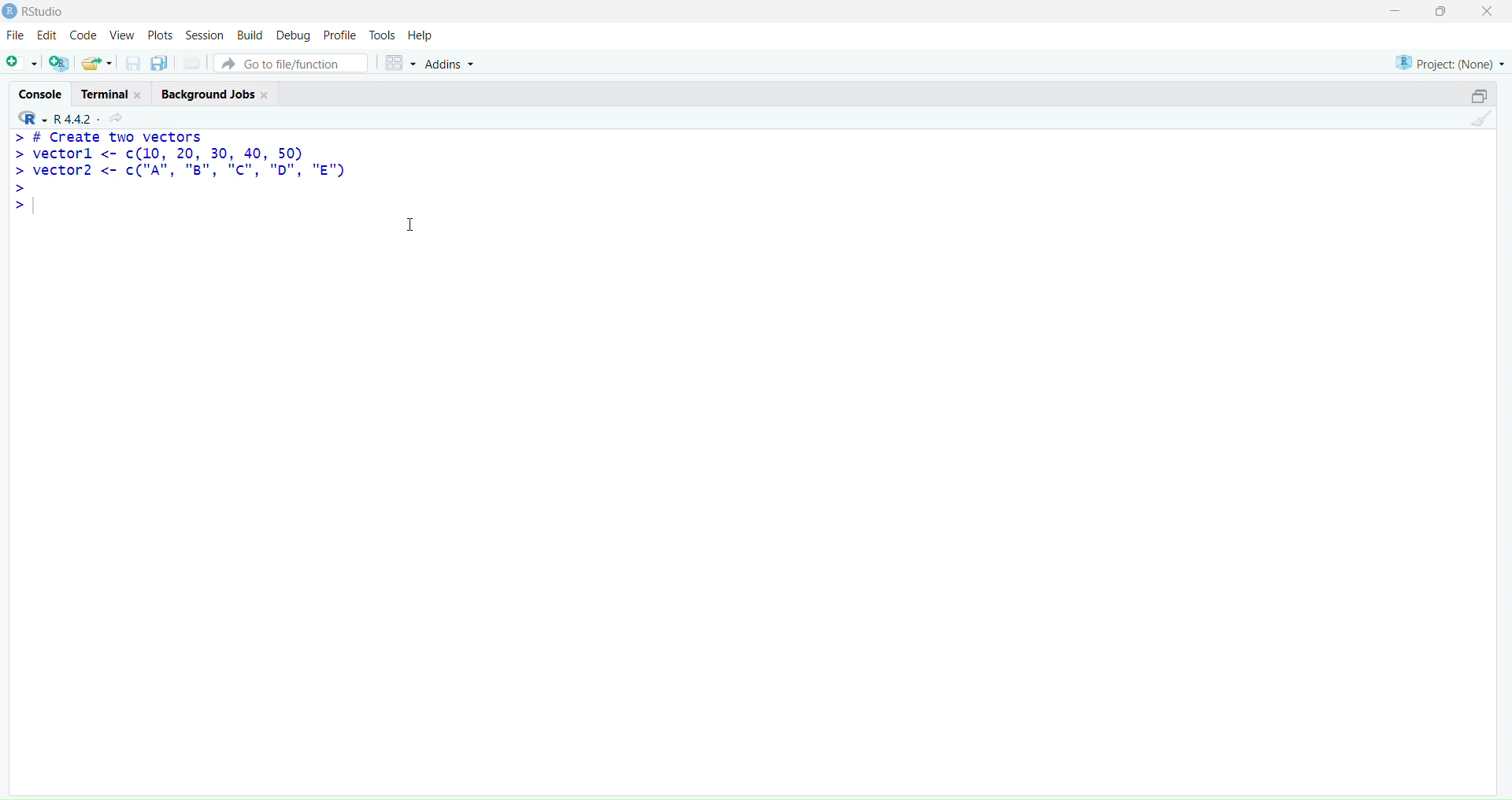 The height and width of the screenshot is (800, 1512). Describe the element at coordinates (60, 63) in the screenshot. I see `Create project` at that location.